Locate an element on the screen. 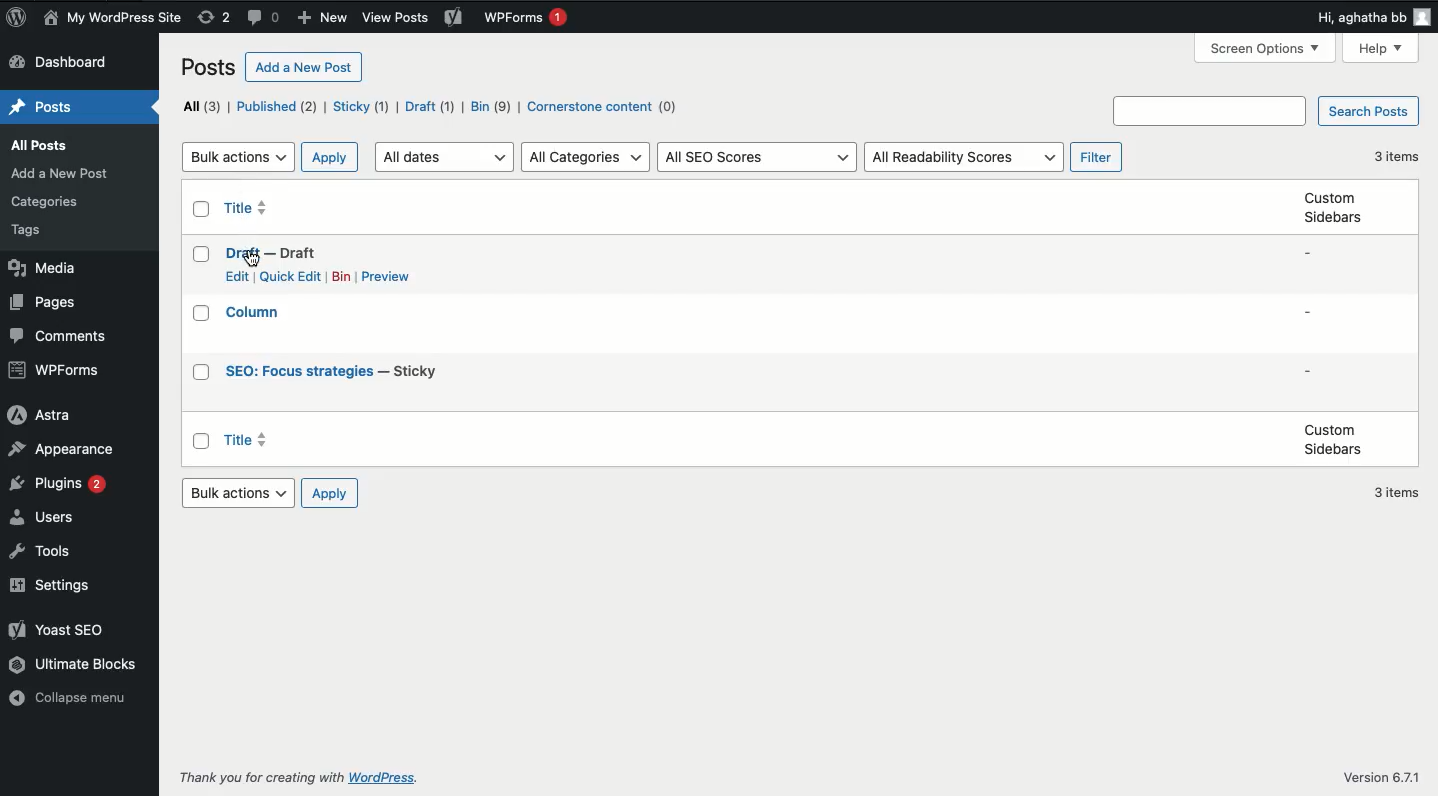 The height and width of the screenshot is (796, 1438). Settings is located at coordinates (50, 587).